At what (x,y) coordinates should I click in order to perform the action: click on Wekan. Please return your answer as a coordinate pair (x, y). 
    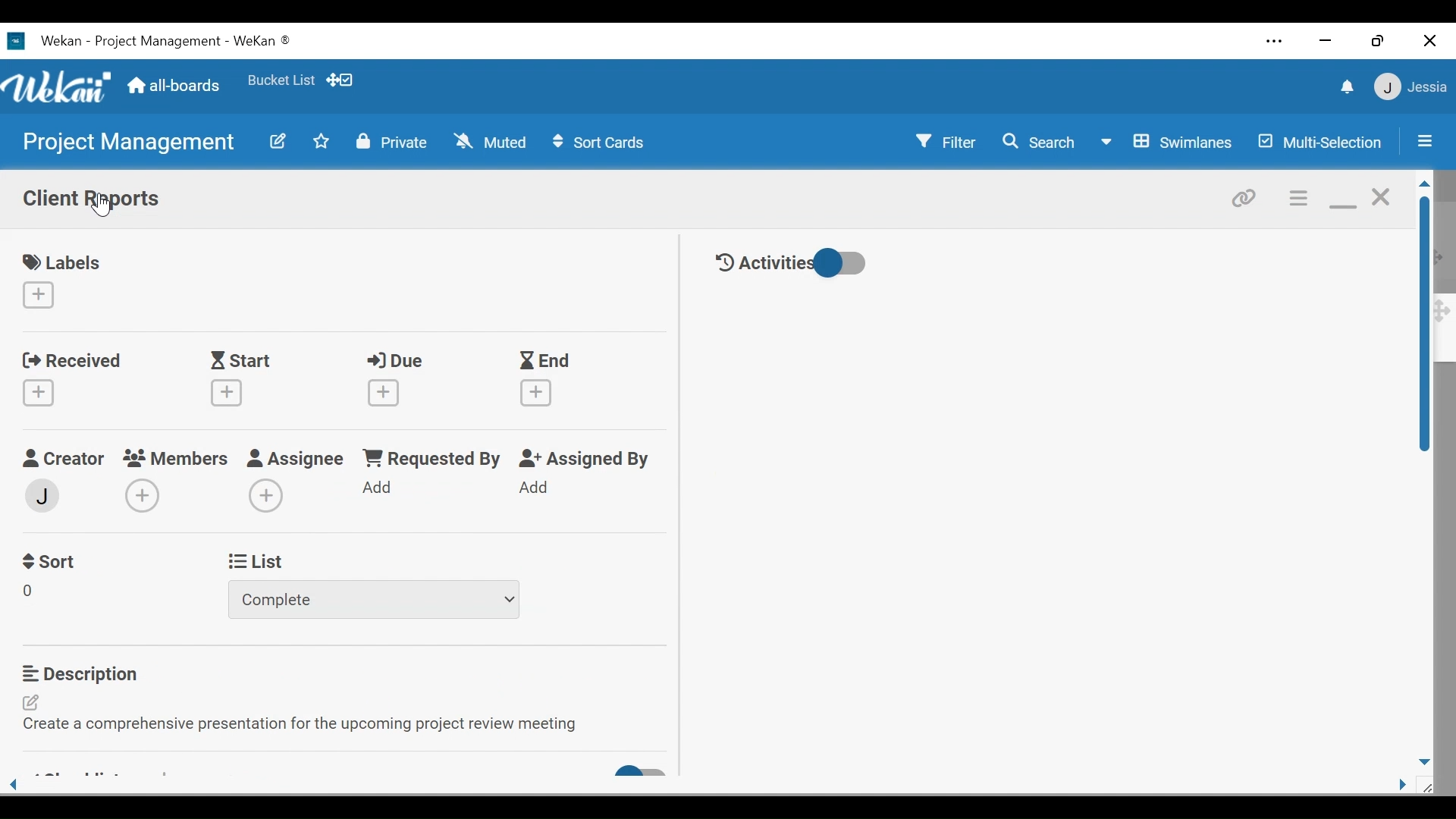
    Looking at the image, I should click on (262, 42).